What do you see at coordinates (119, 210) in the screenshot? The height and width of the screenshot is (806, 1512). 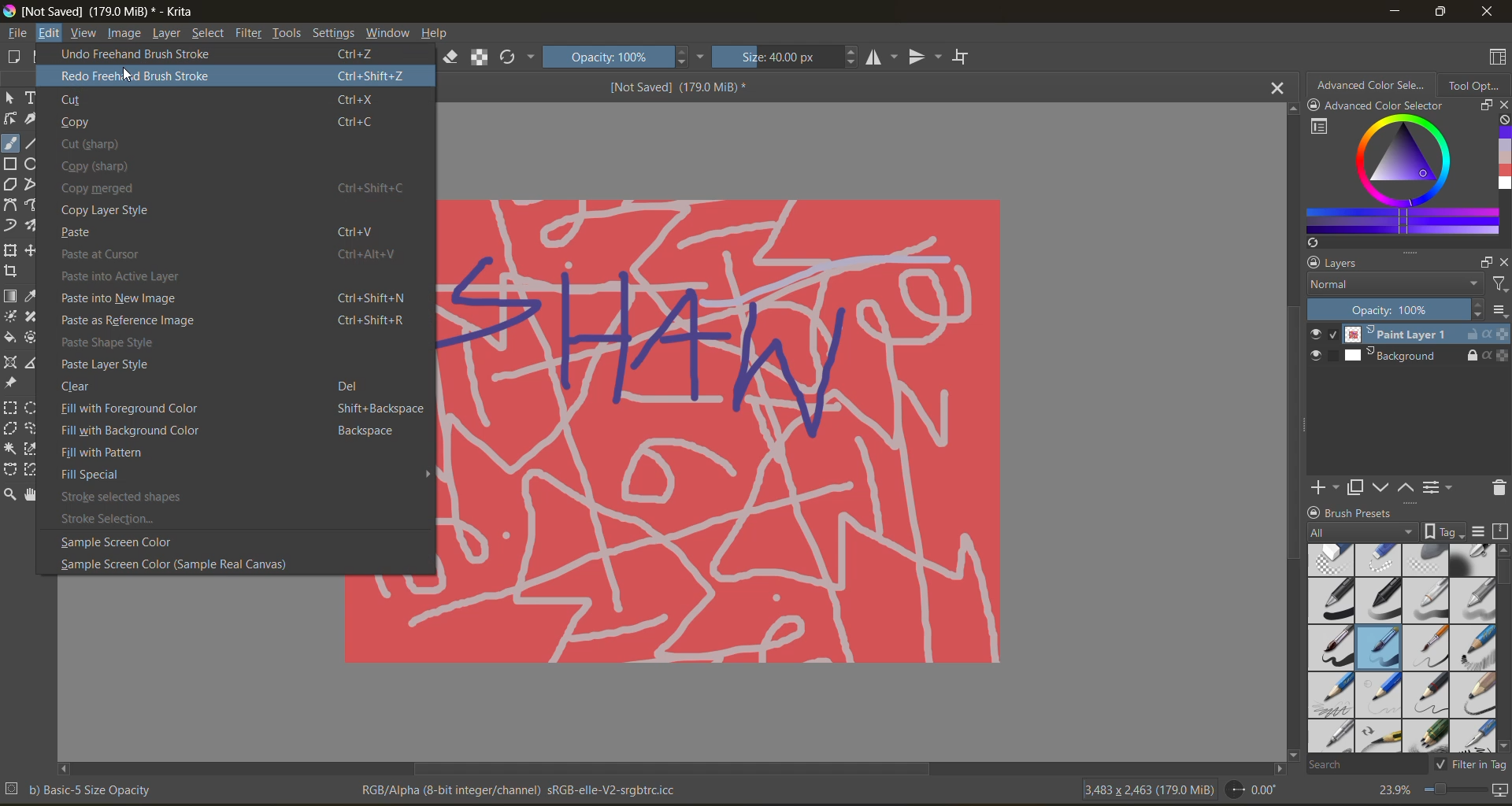 I see `copy layer style` at bounding box center [119, 210].